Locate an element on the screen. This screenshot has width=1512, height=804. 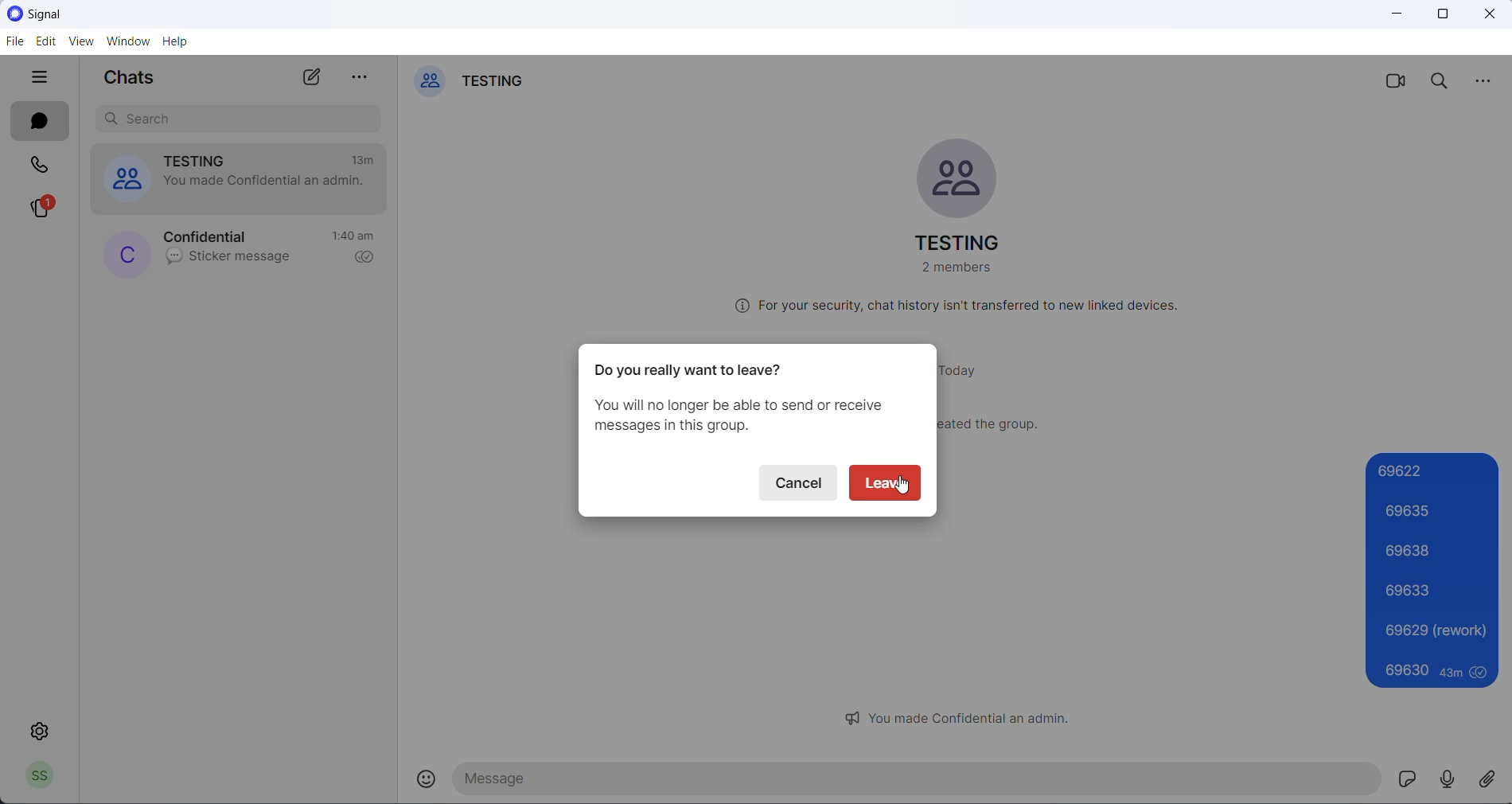
help is located at coordinates (178, 42).